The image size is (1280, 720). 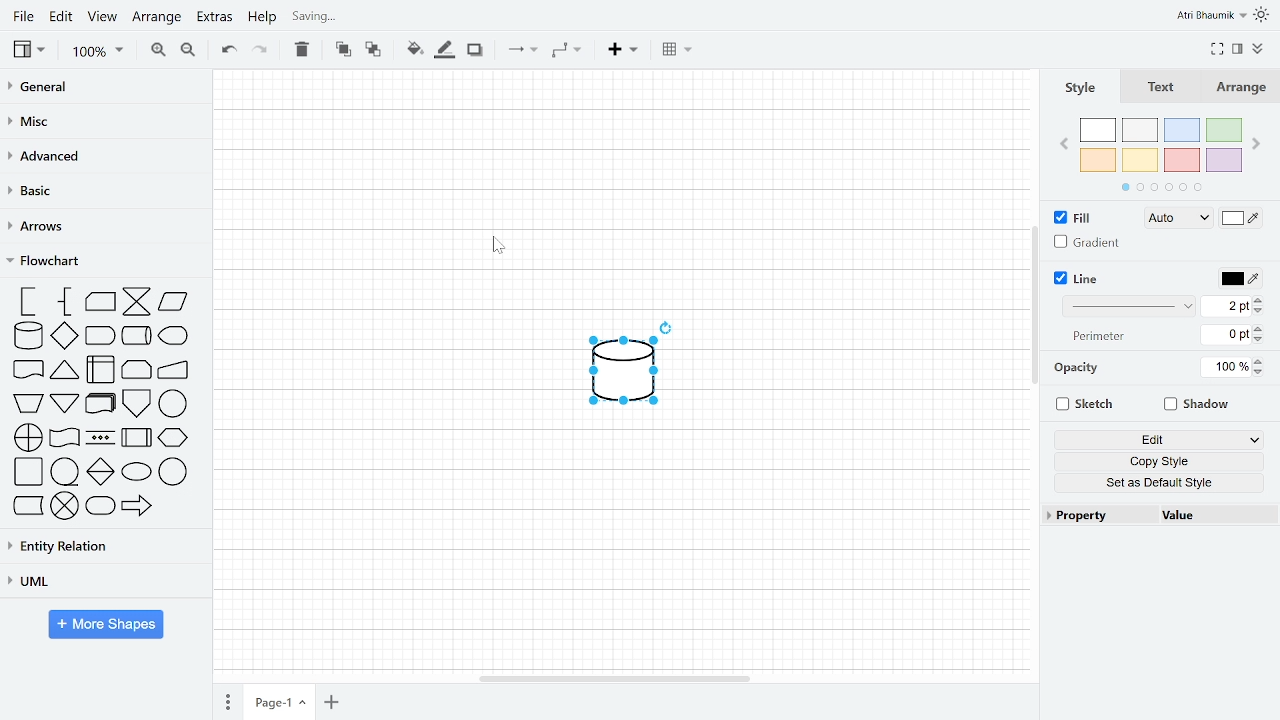 I want to click on or , so click(x=27, y=437).